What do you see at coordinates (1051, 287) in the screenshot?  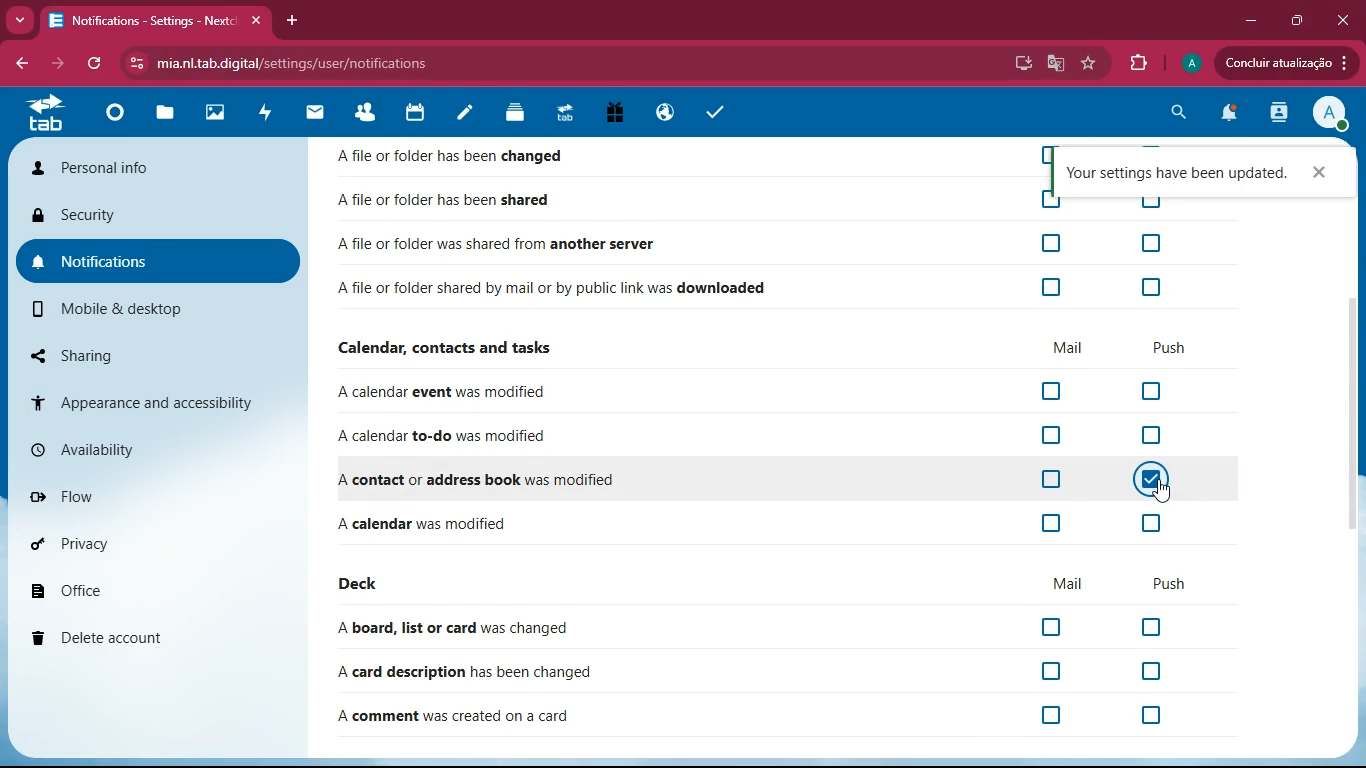 I see `off` at bounding box center [1051, 287].